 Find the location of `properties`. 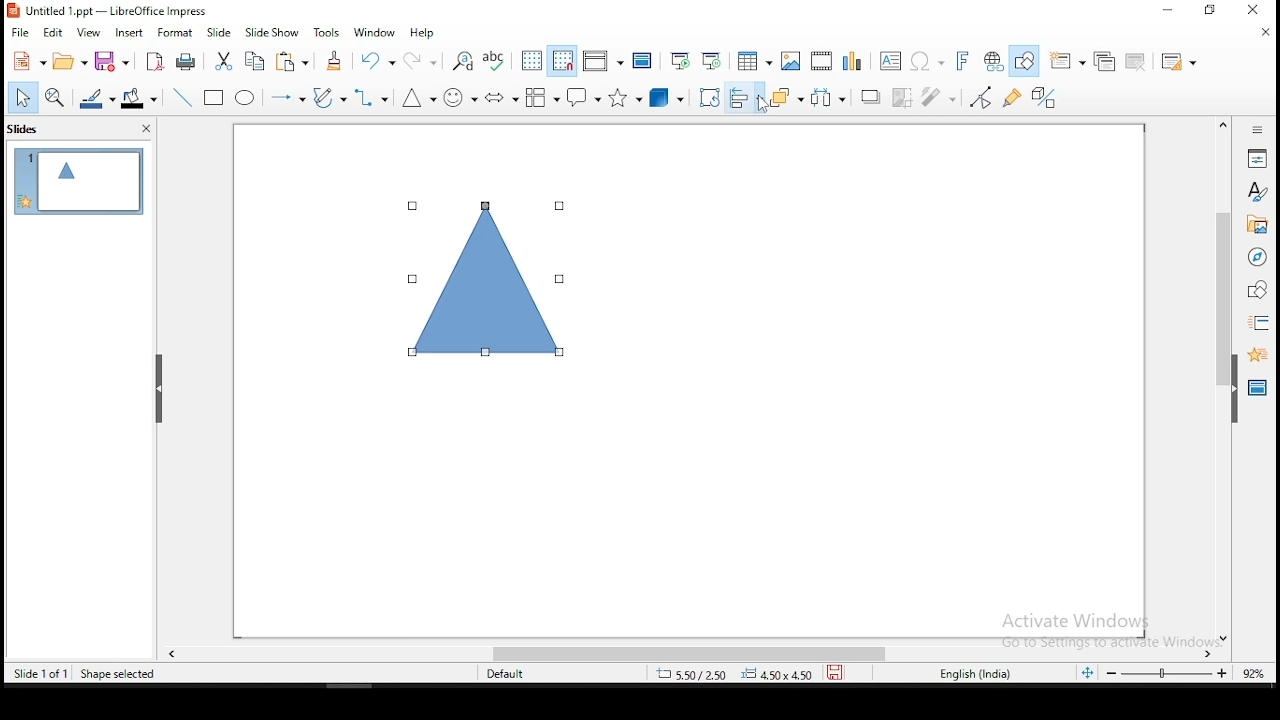

properties is located at coordinates (1259, 157).